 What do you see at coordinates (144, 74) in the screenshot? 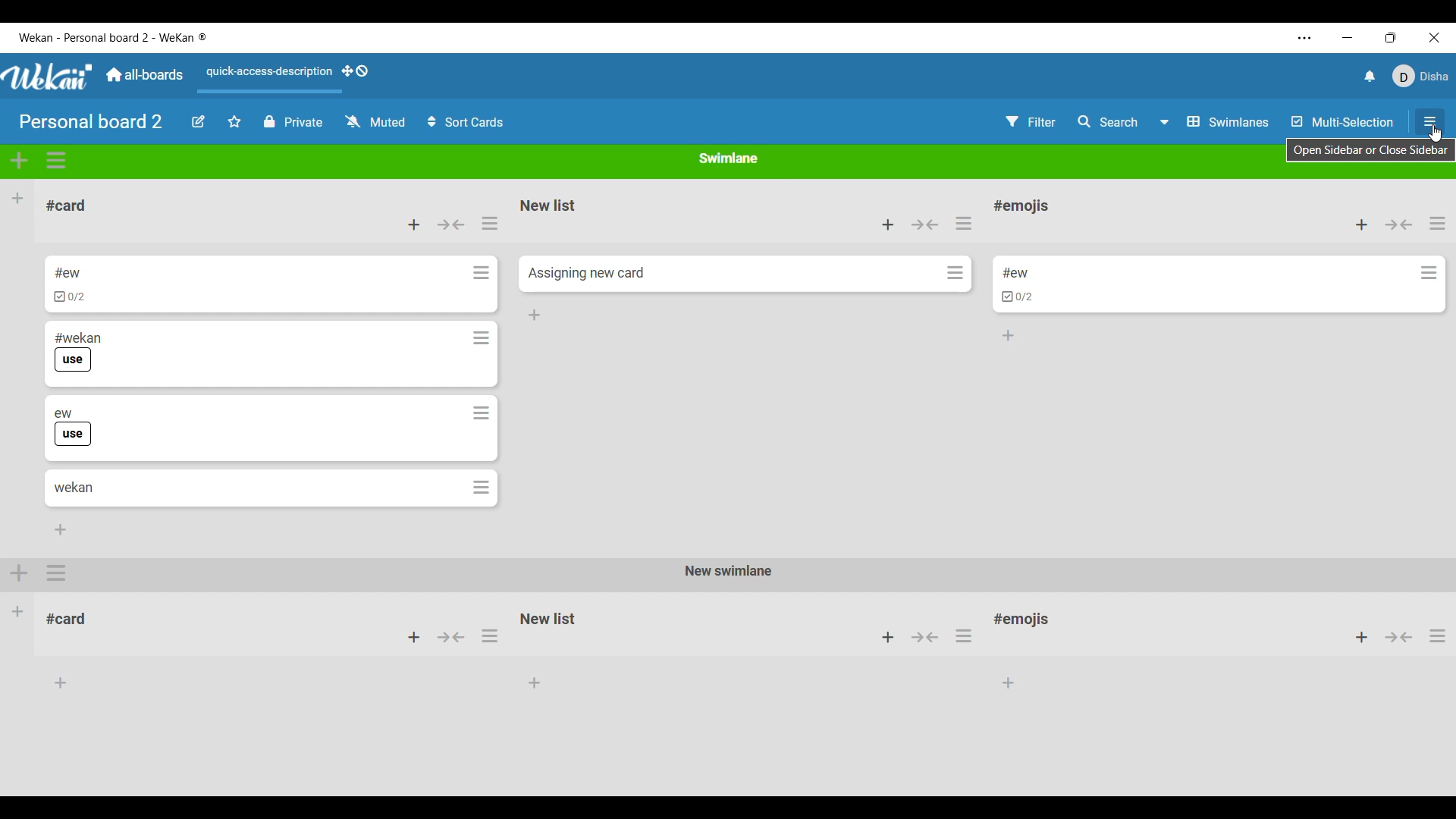
I see `Main dashboard` at bounding box center [144, 74].